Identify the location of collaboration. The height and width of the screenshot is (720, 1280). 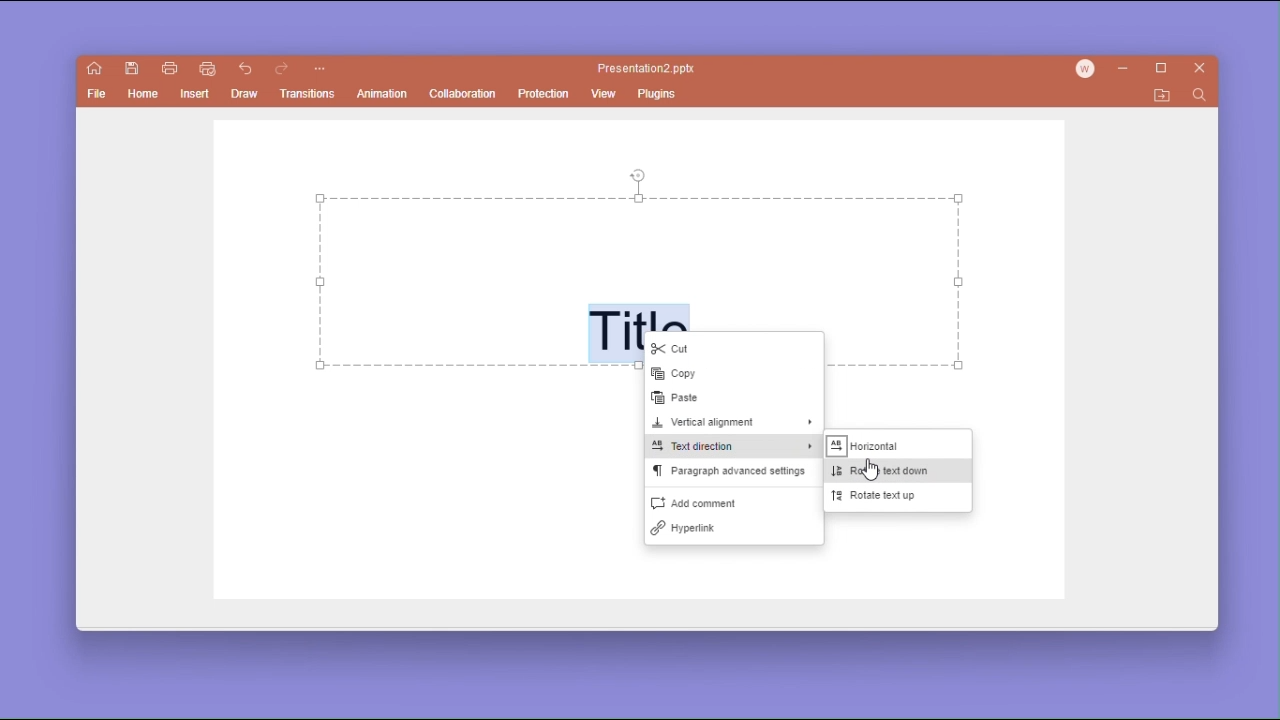
(462, 93).